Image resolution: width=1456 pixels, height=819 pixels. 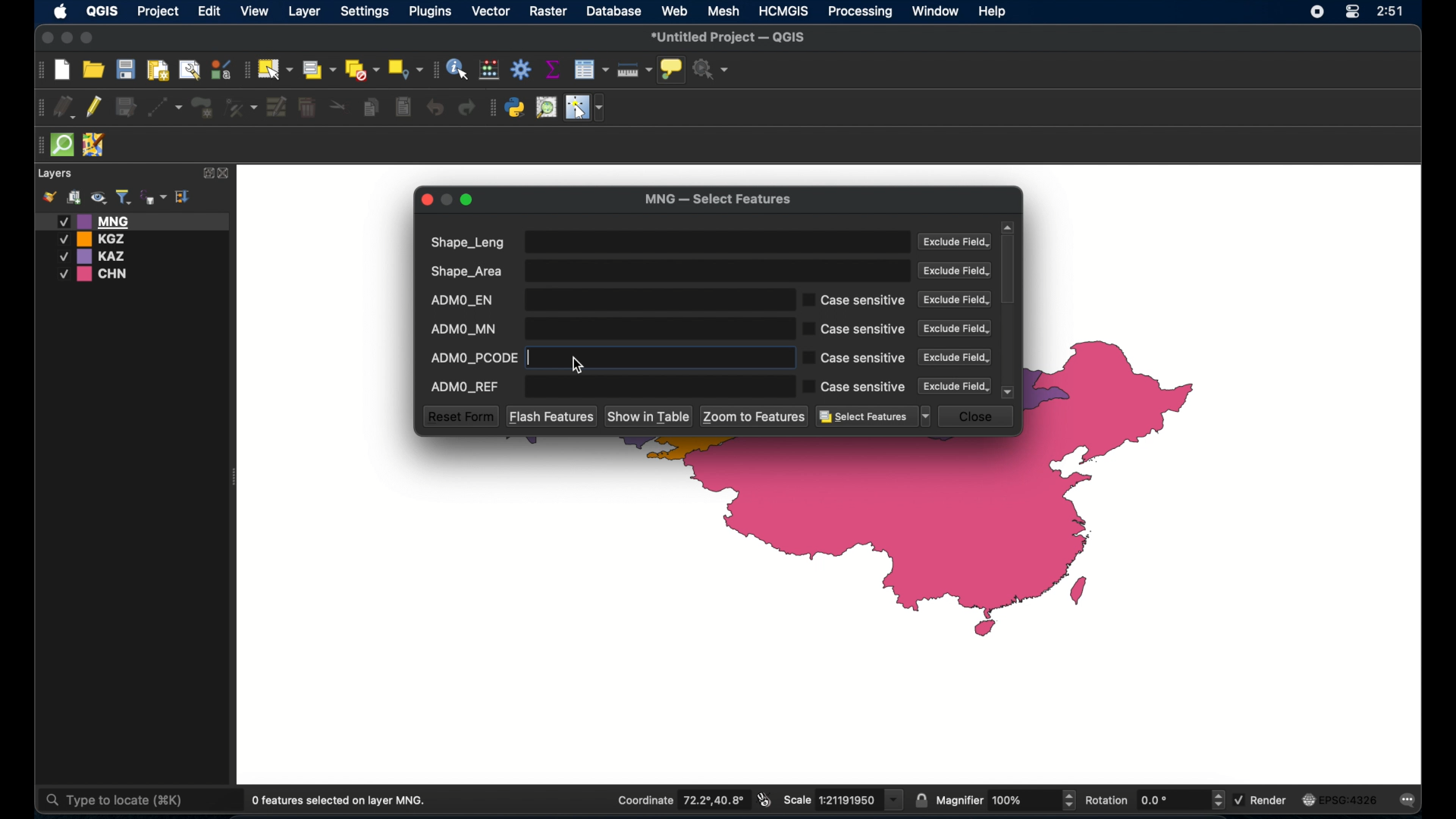 What do you see at coordinates (96, 239) in the screenshot?
I see `KGZ` at bounding box center [96, 239].